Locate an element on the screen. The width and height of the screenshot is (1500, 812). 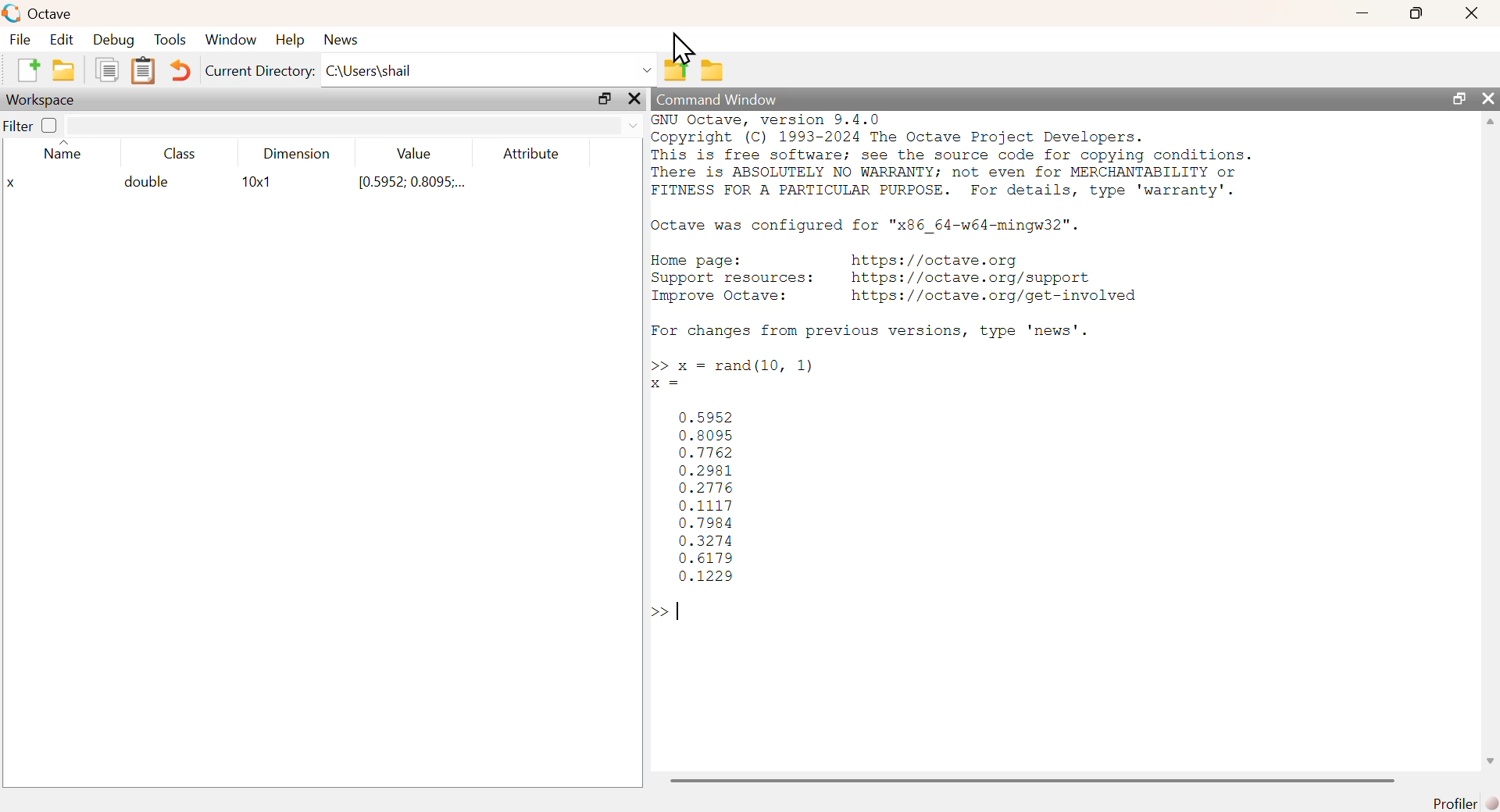
10x1 is located at coordinates (259, 183).